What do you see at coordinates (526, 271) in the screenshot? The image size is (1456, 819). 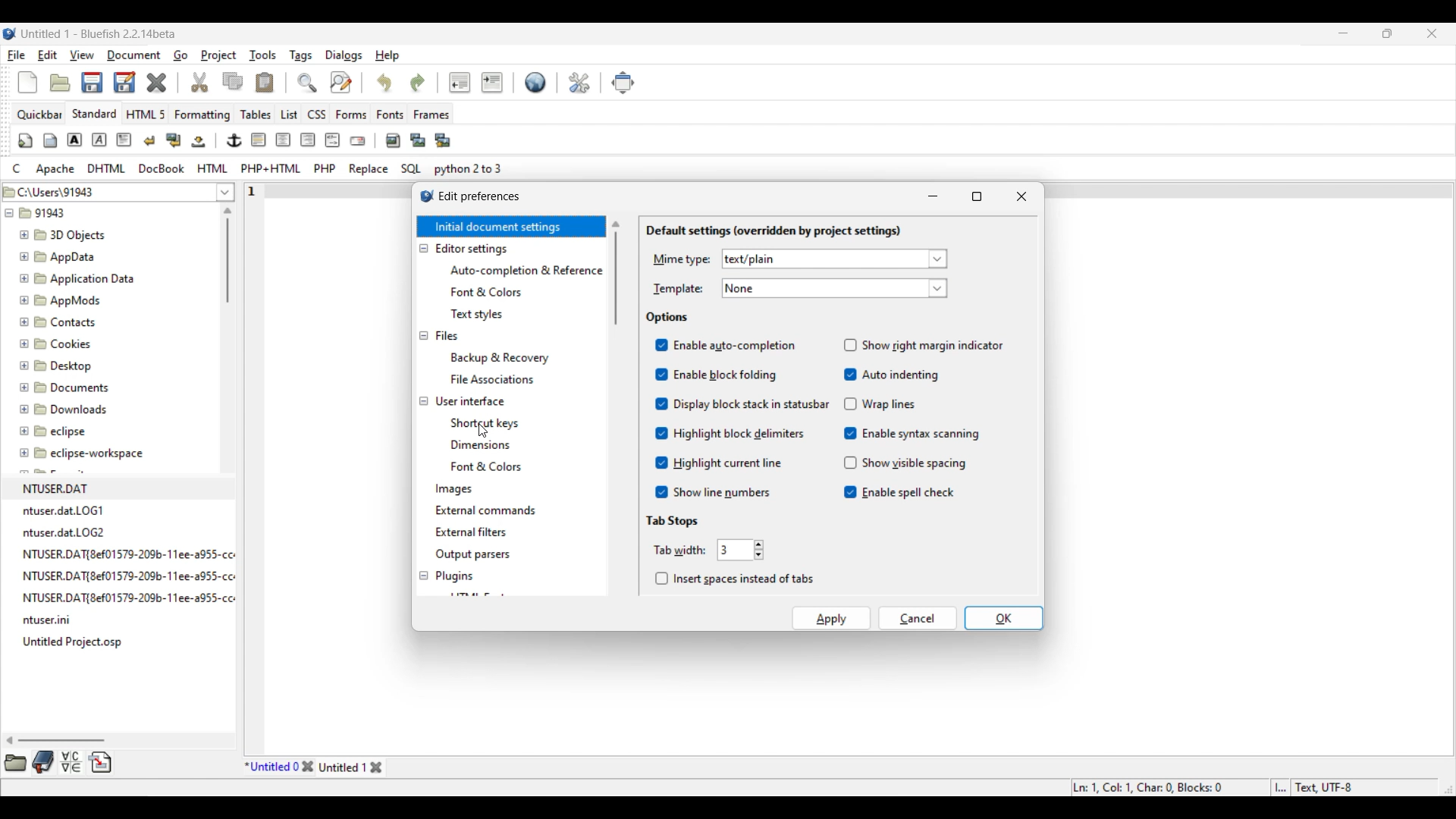 I see `Auto-completion & Reference` at bounding box center [526, 271].